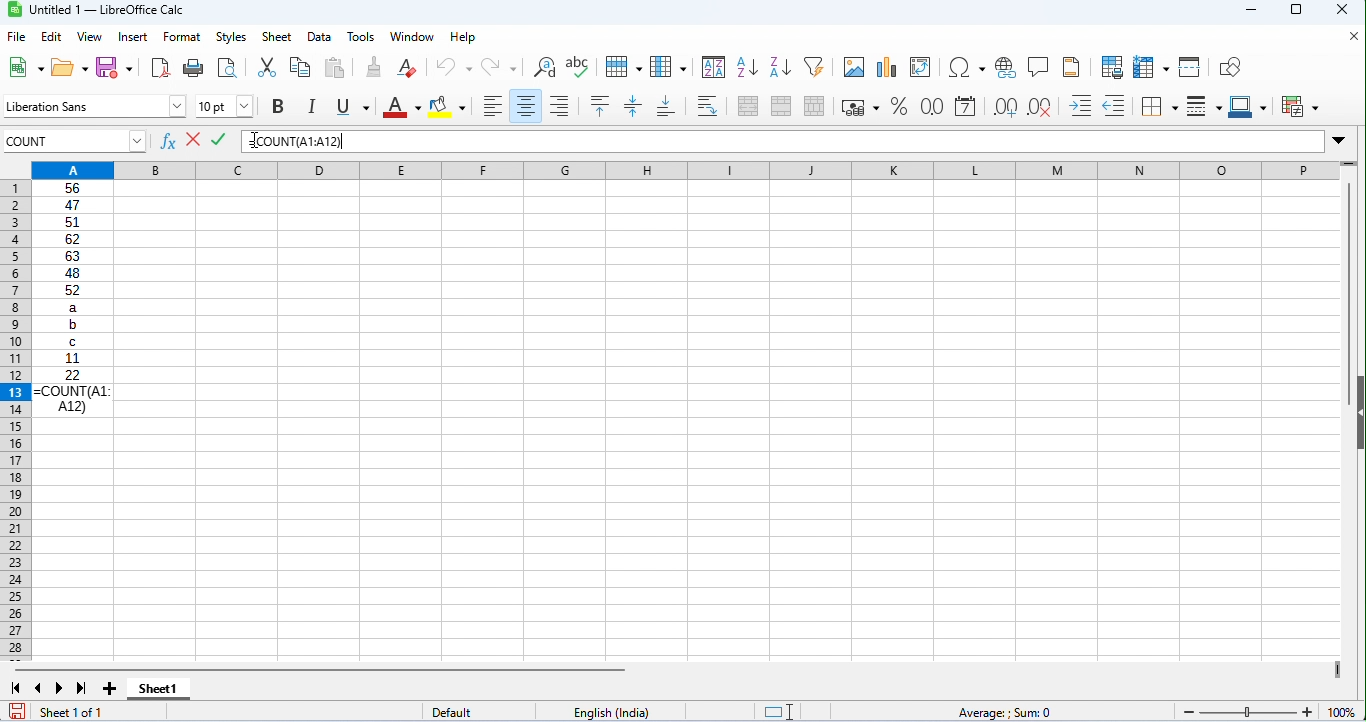 Image resolution: width=1366 pixels, height=722 pixels. I want to click on , so click(278, 107).